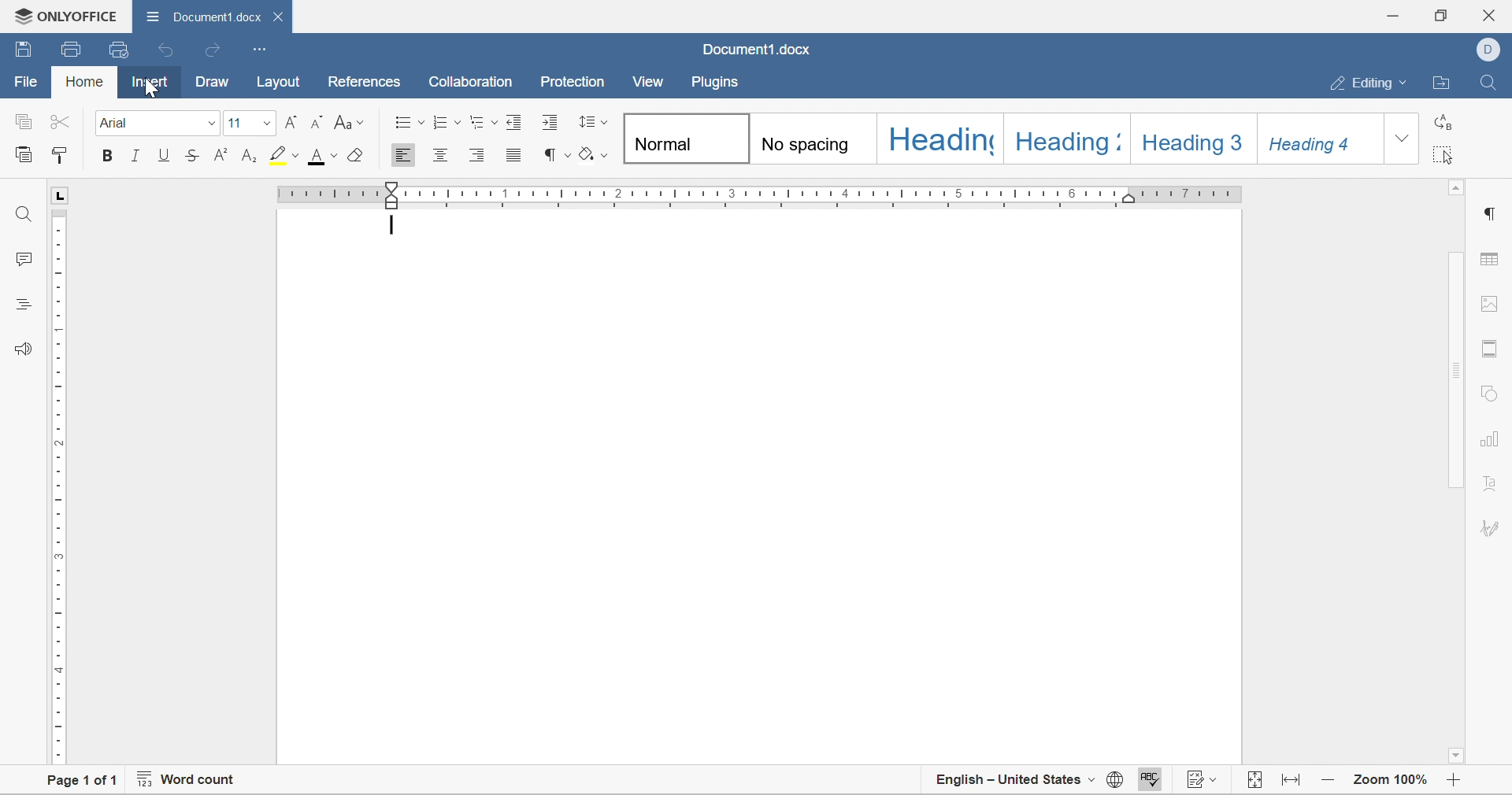  What do you see at coordinates (214, 16) in the screenshot?
I see `Document.docx` at bounding box center [214, 16].